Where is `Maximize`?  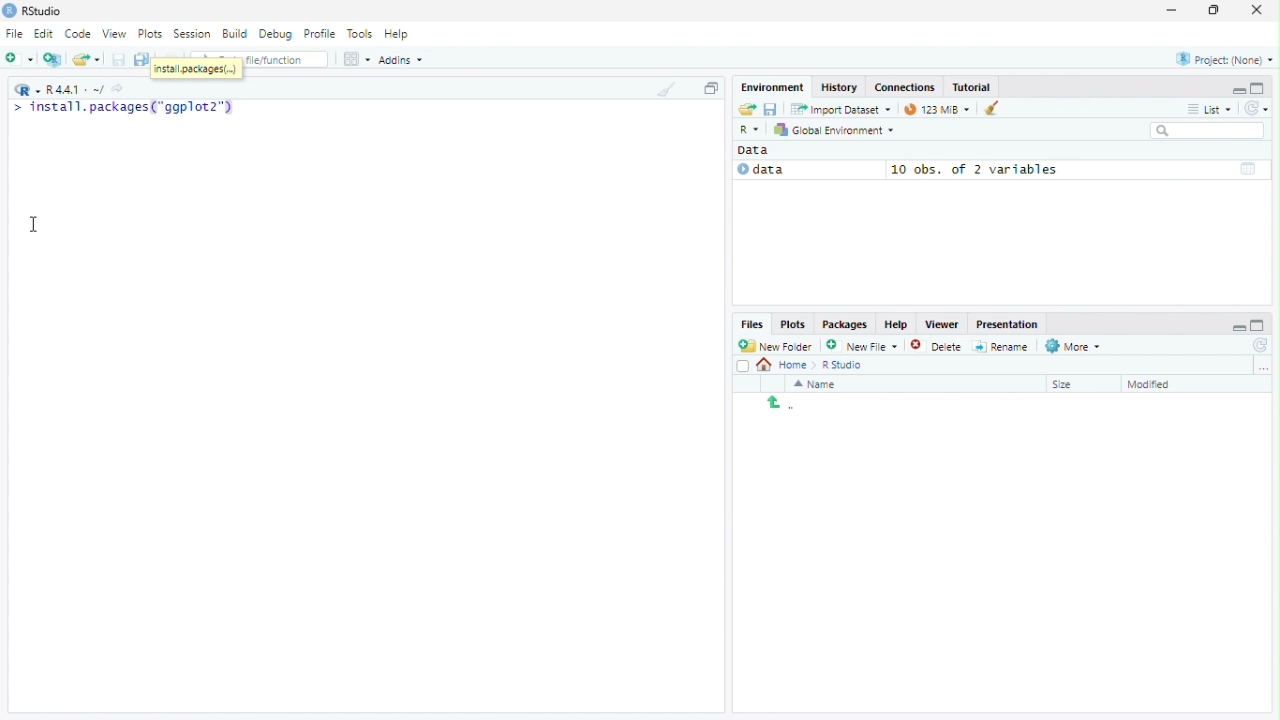
Maximize is located at coordinates (711, 88).